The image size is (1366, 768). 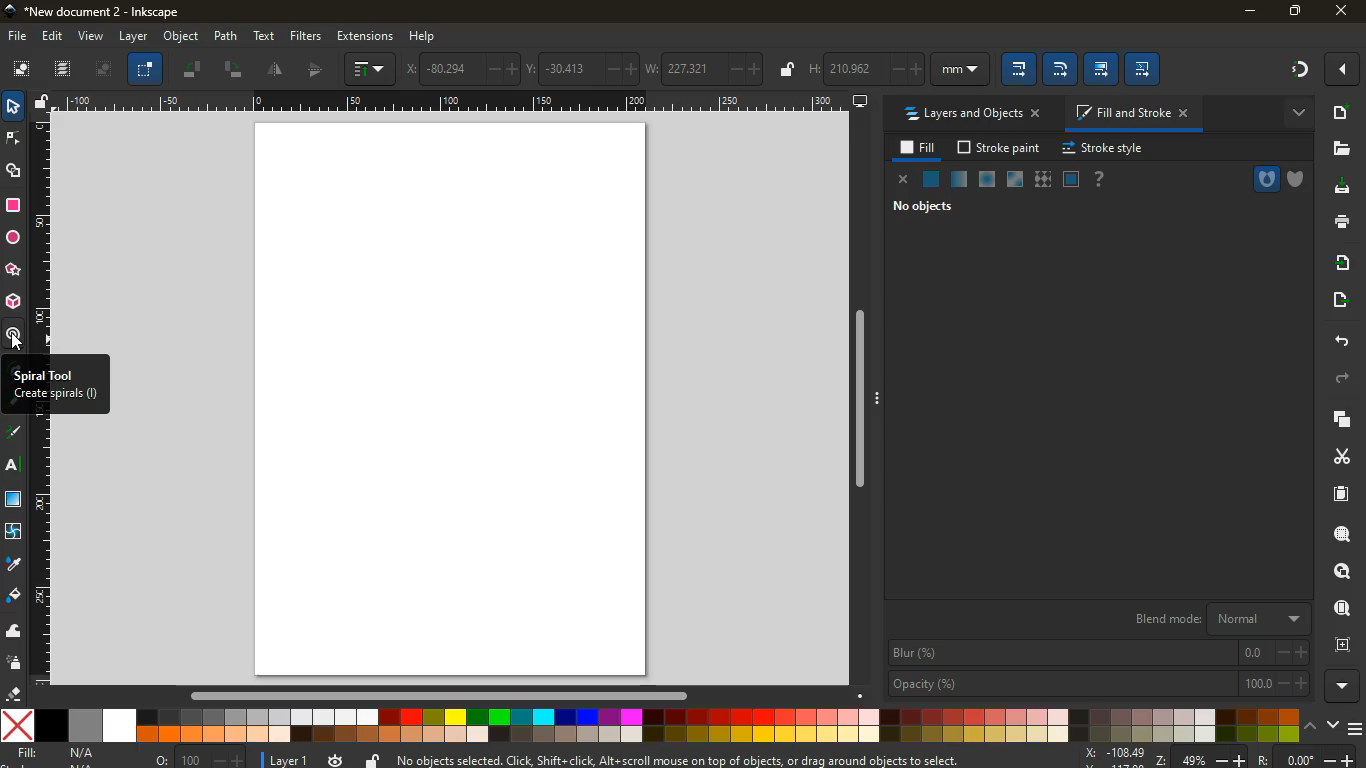 I want to click on tilt, so click(x=193, y=67).